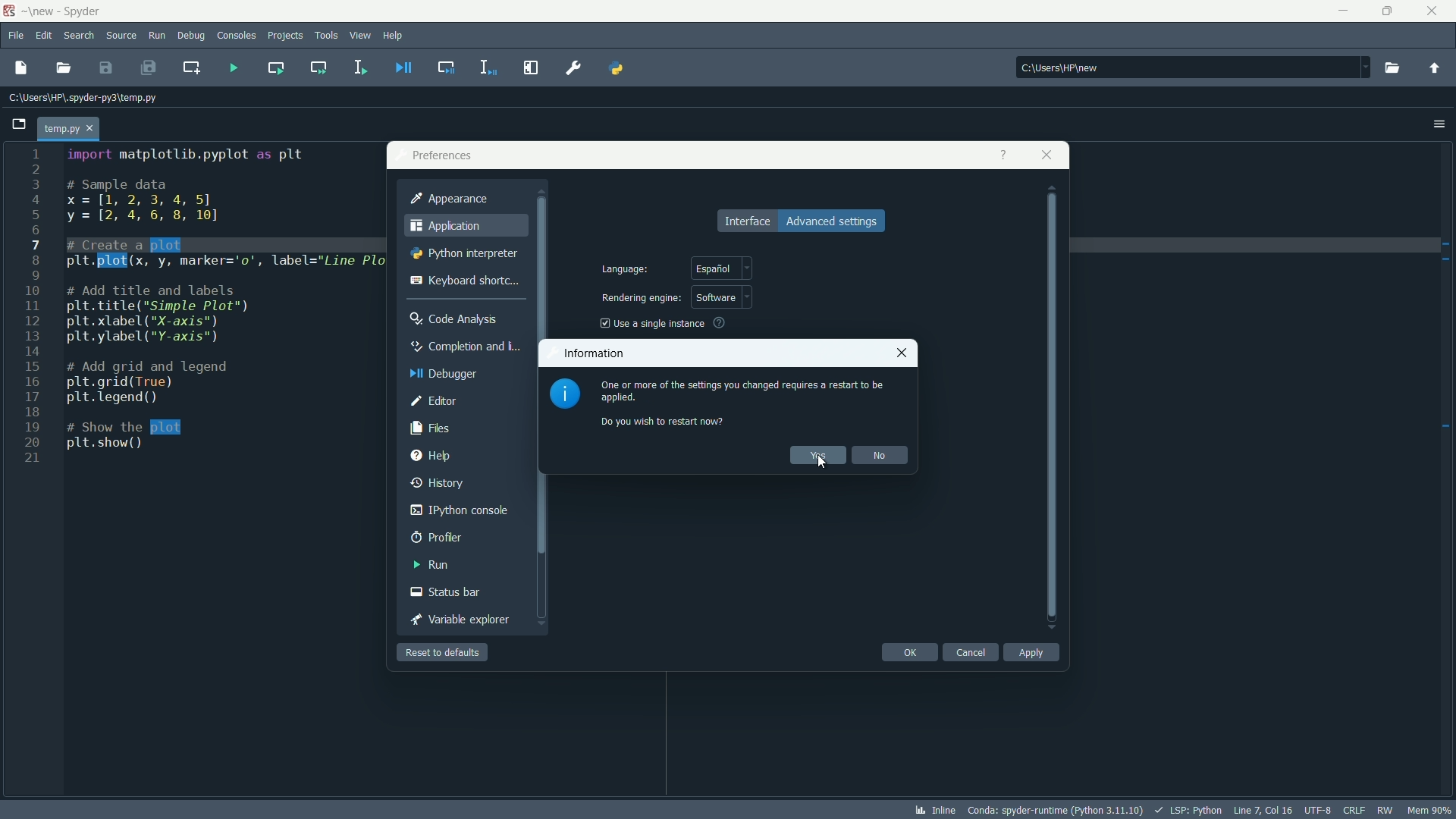 The height and width of the screenshot is (819, 1456). Describe the element at coordinates (823, 463) in the screenshot. I see `cursor` at that location.